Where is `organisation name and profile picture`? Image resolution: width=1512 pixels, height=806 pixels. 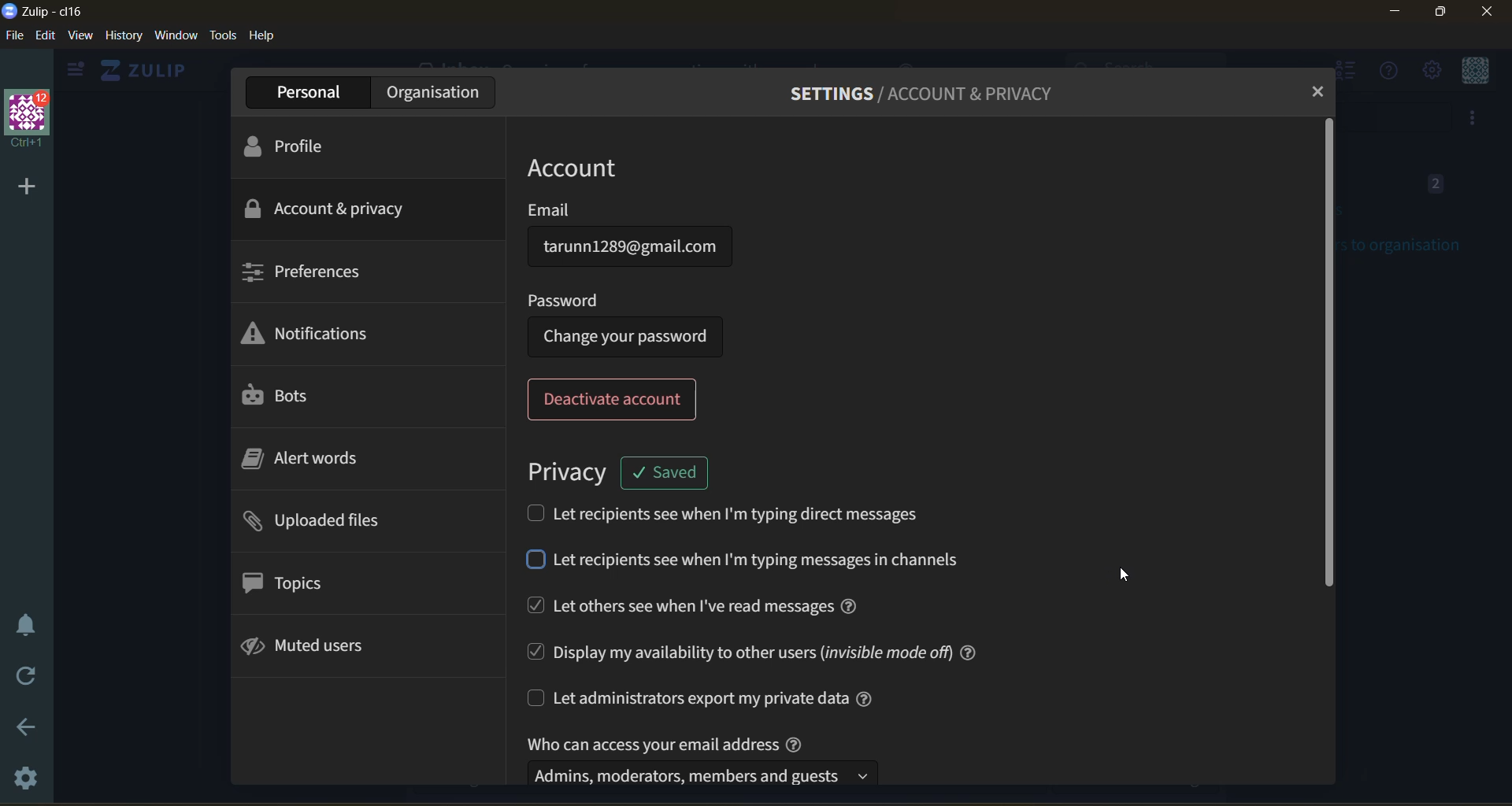
organisation name and profile picture is located at coordinates (30, 120).